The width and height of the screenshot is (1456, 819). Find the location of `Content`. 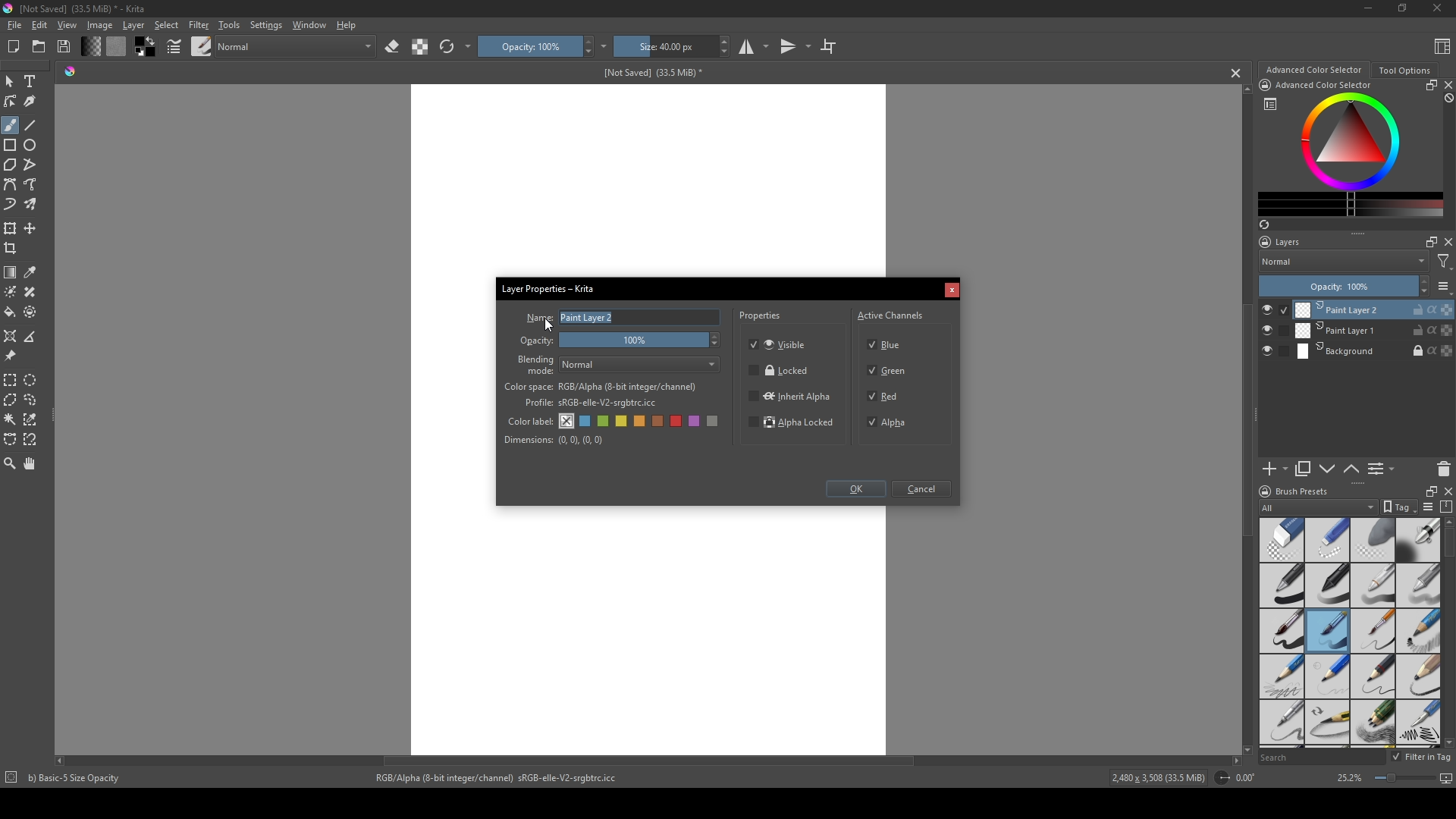

Content is located at coordinates (1442, 45).